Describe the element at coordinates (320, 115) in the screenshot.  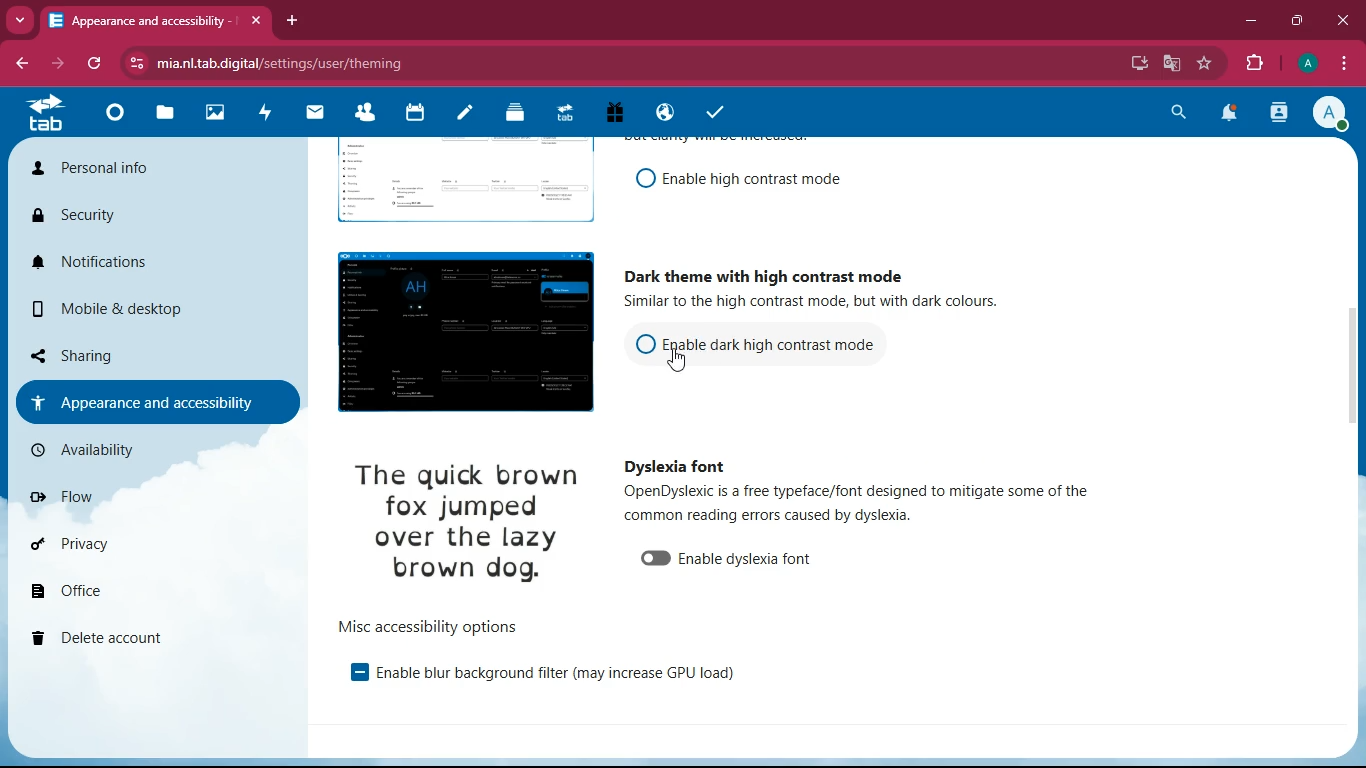
I see `mail` at that location.